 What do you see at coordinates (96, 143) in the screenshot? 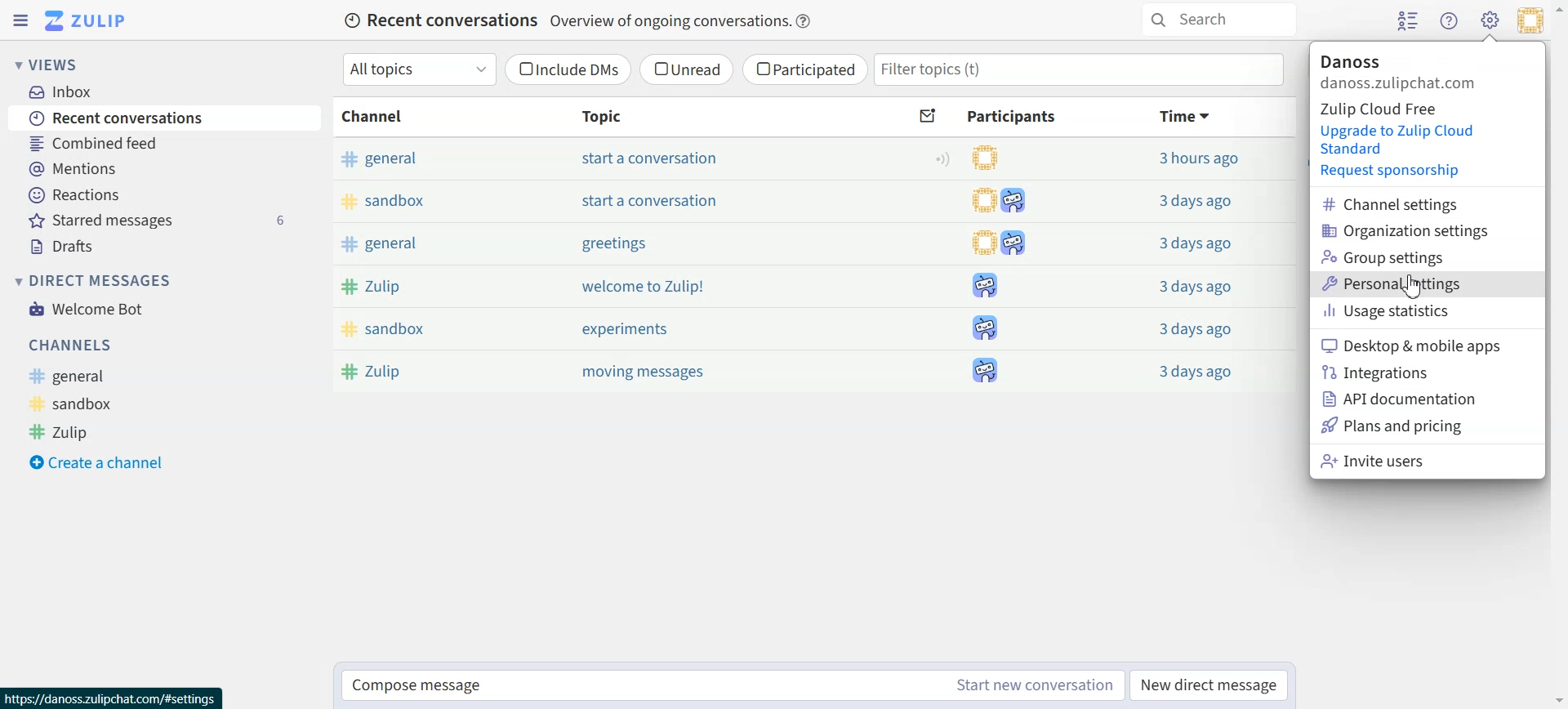
I see `Combined feed` at bounding box center [96, 143].